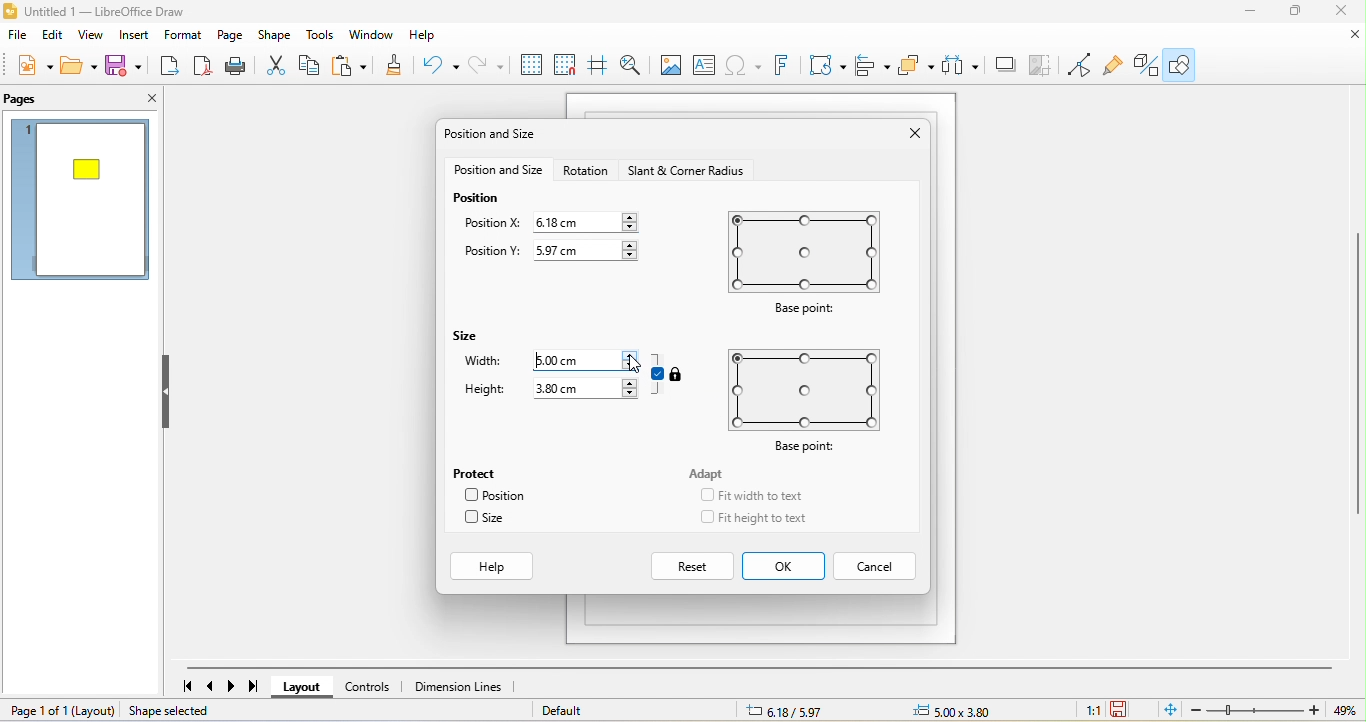  I want to click on tools, so click(321, 36).